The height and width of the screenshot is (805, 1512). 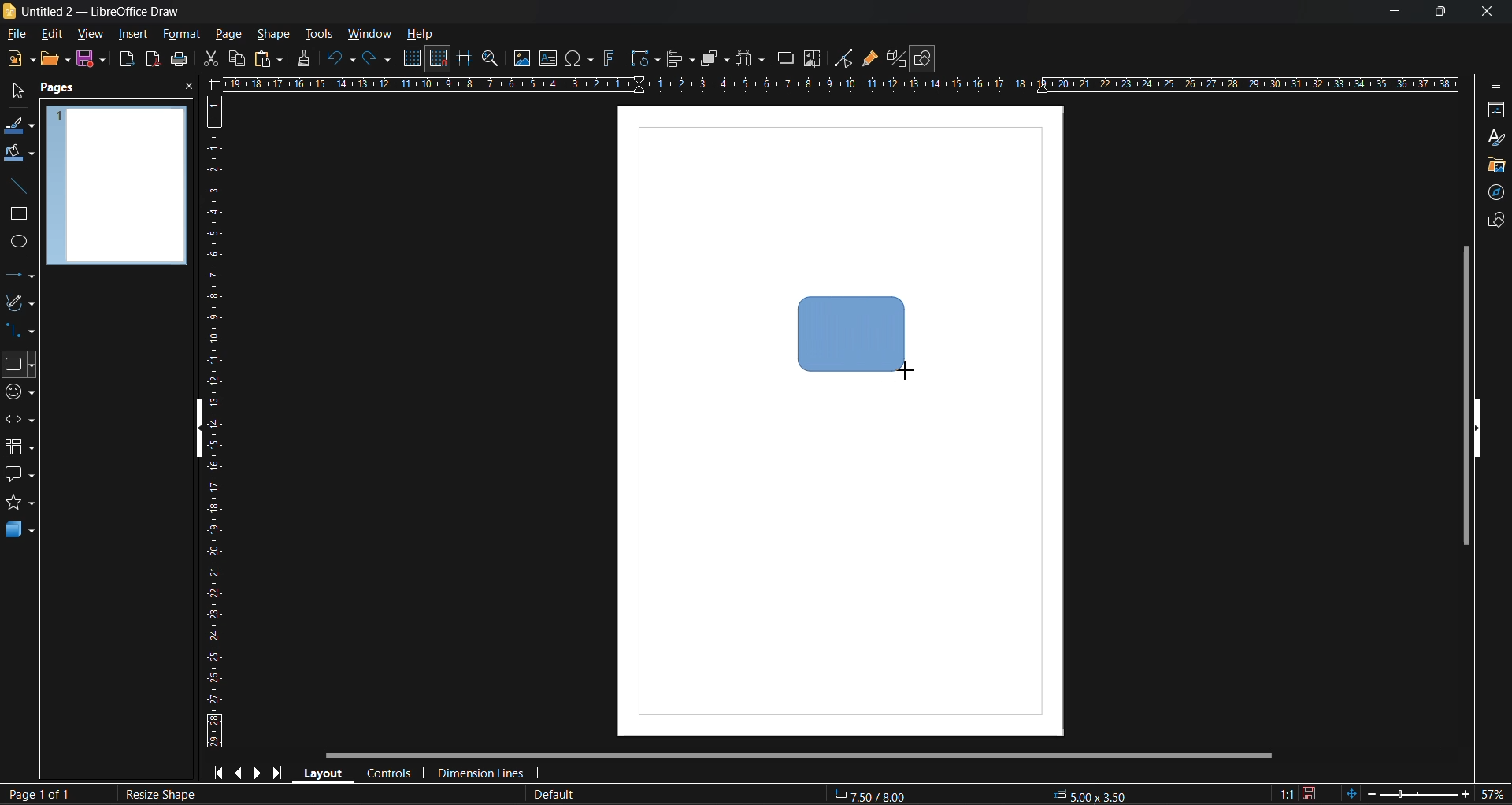 What do you see at coordinates (682, 61) in the screenshot?
I see `align objects` at bounding box center [682, 61].